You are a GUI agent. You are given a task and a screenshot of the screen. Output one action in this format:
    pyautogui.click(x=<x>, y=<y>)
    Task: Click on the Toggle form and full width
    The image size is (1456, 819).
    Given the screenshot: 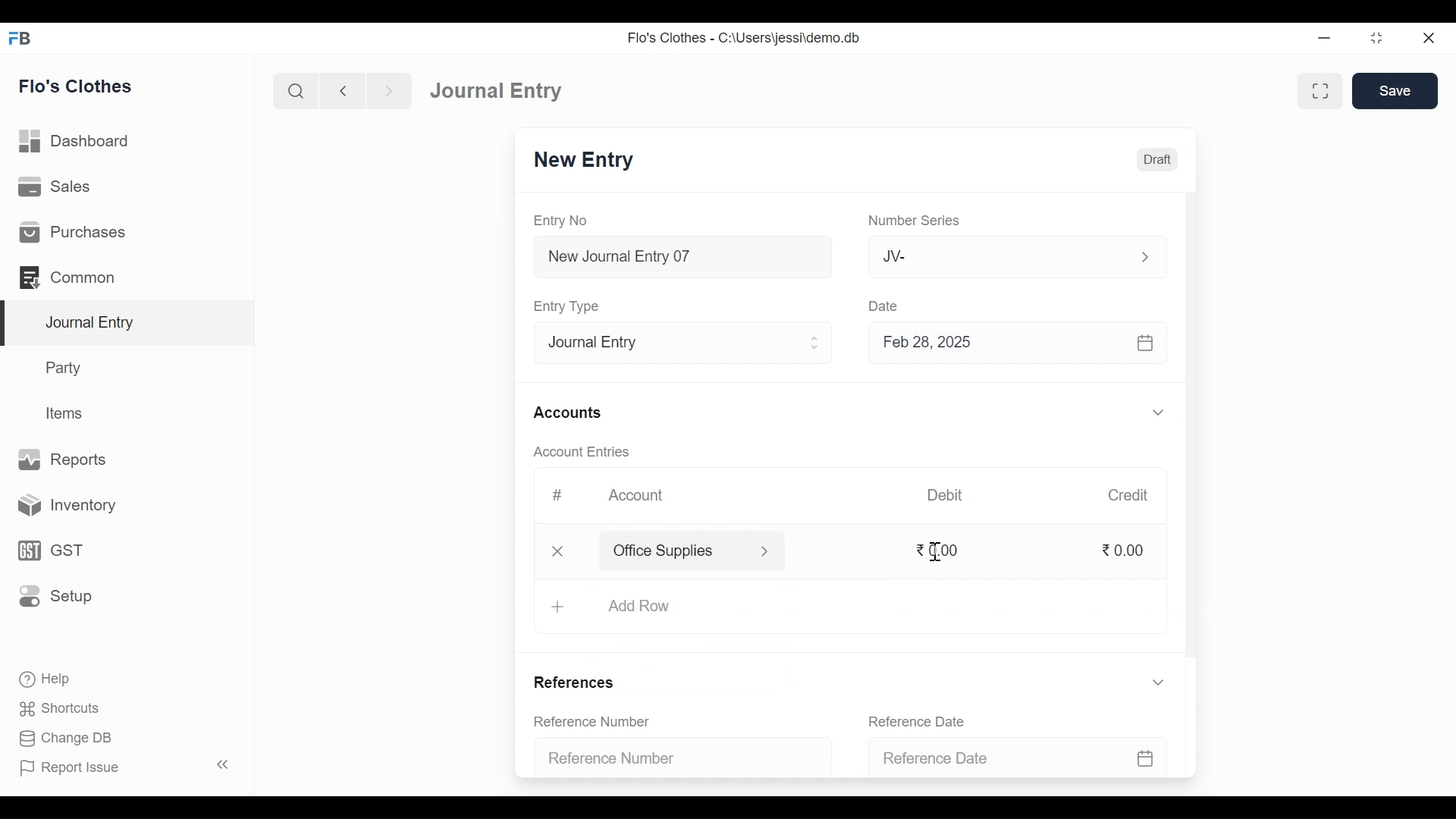 What is the action you would take?
    pyautogui.click(x=1320, y=92)
    